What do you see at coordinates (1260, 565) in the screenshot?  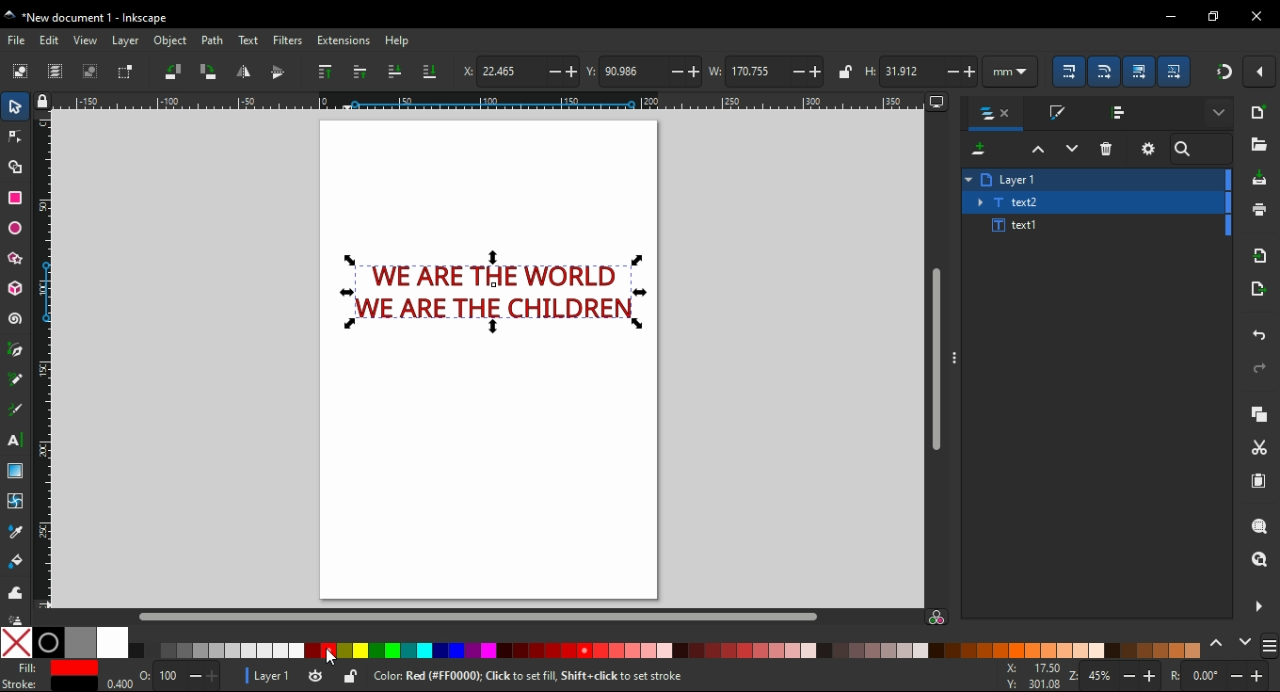 I see `zoom drawing` at bounding box center [1260, 565].